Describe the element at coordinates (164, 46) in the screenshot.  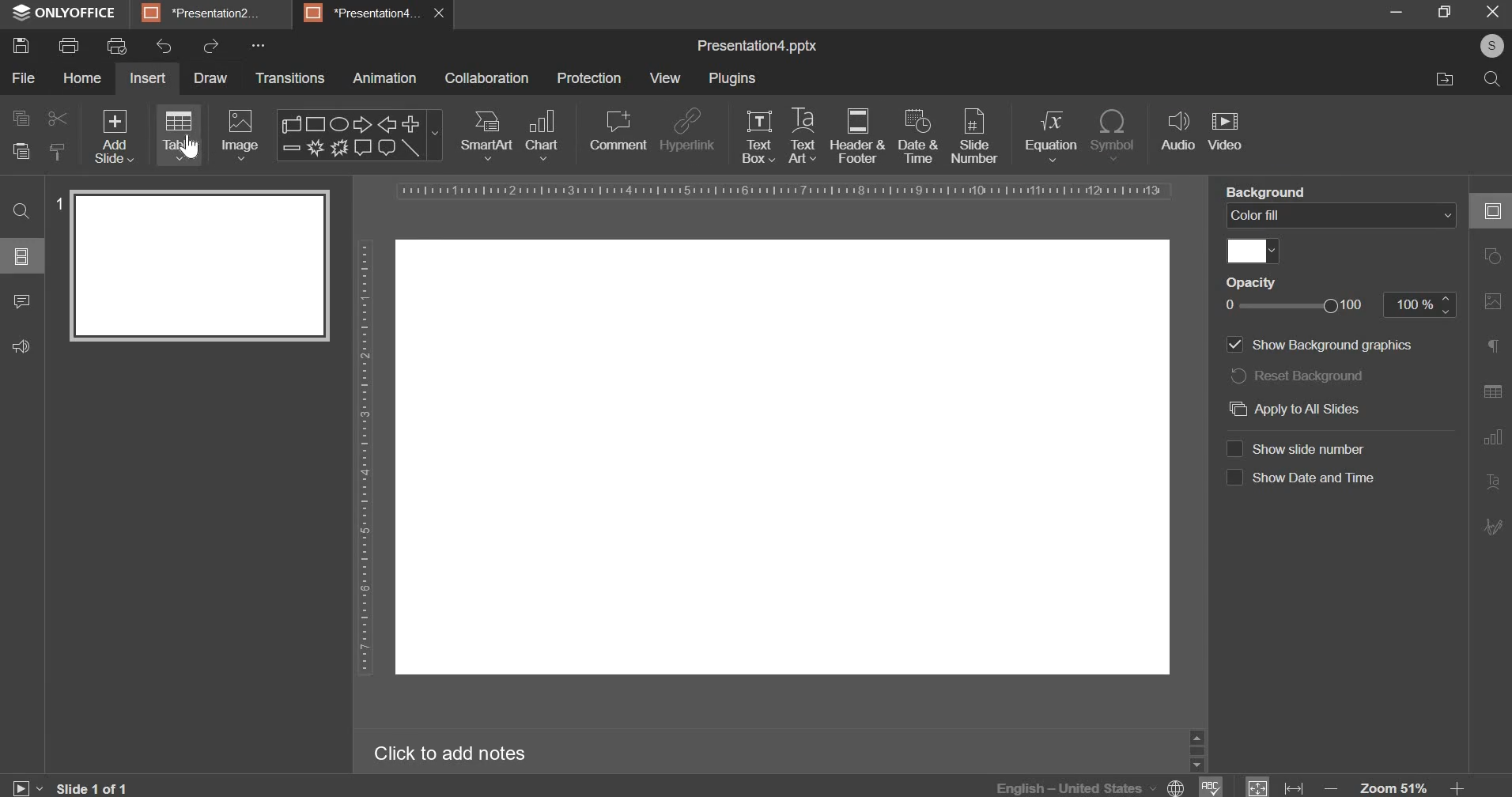
I see `undo` at that location.